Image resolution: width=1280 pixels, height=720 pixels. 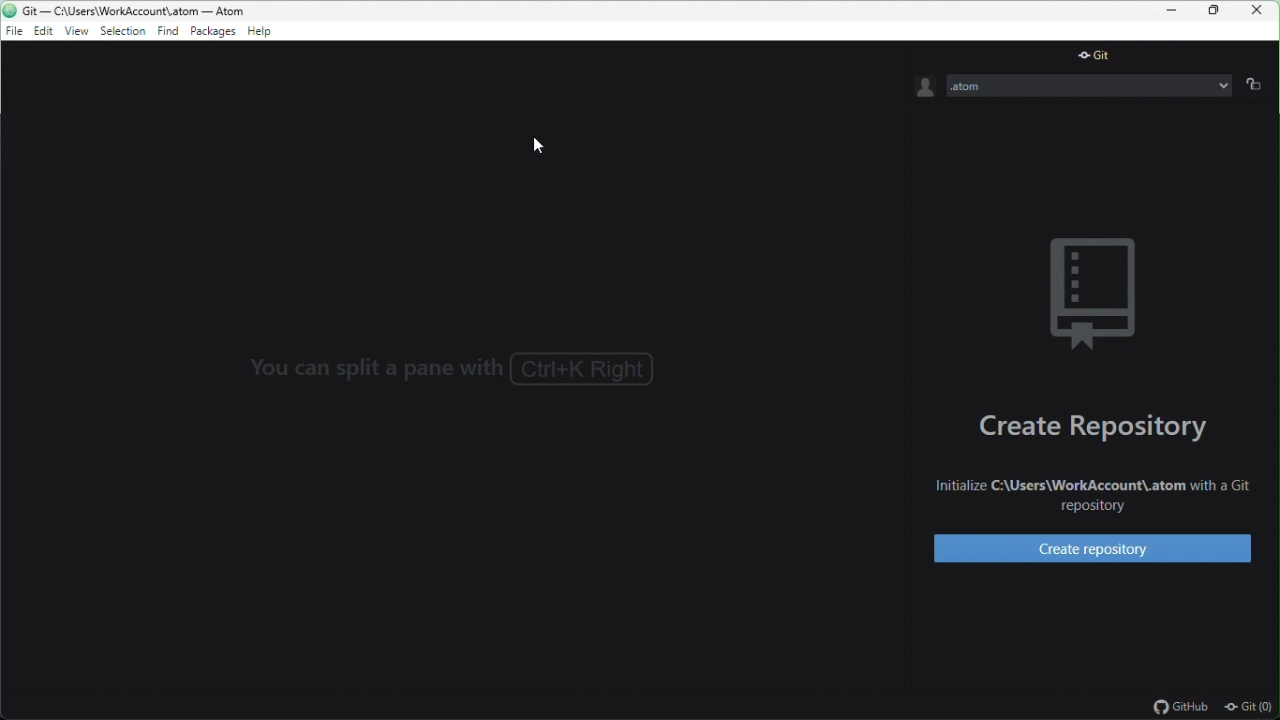 I want to click on >, so click(x=899, y=369).